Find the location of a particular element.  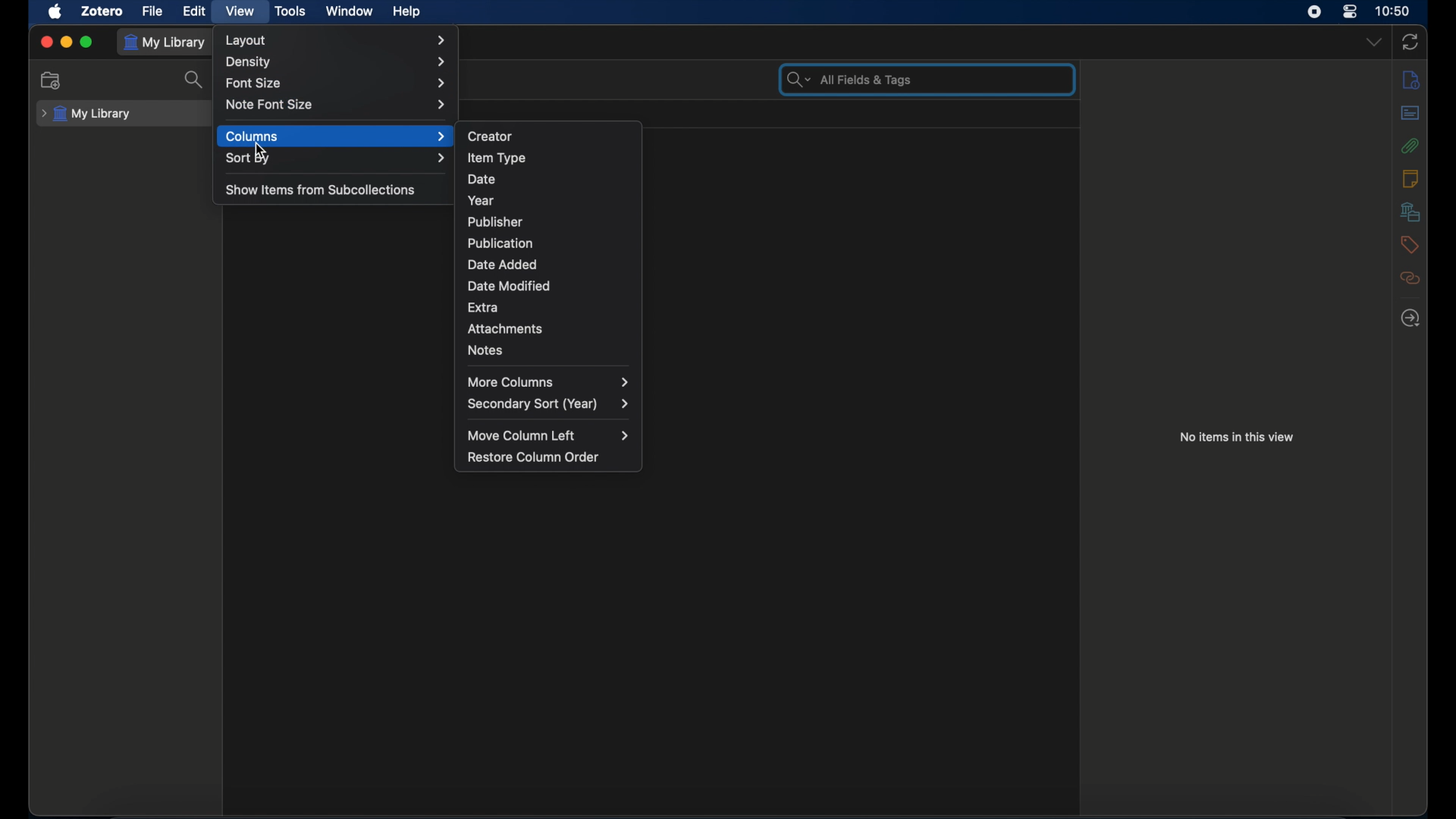

apple is located at coordinates (55, 11).